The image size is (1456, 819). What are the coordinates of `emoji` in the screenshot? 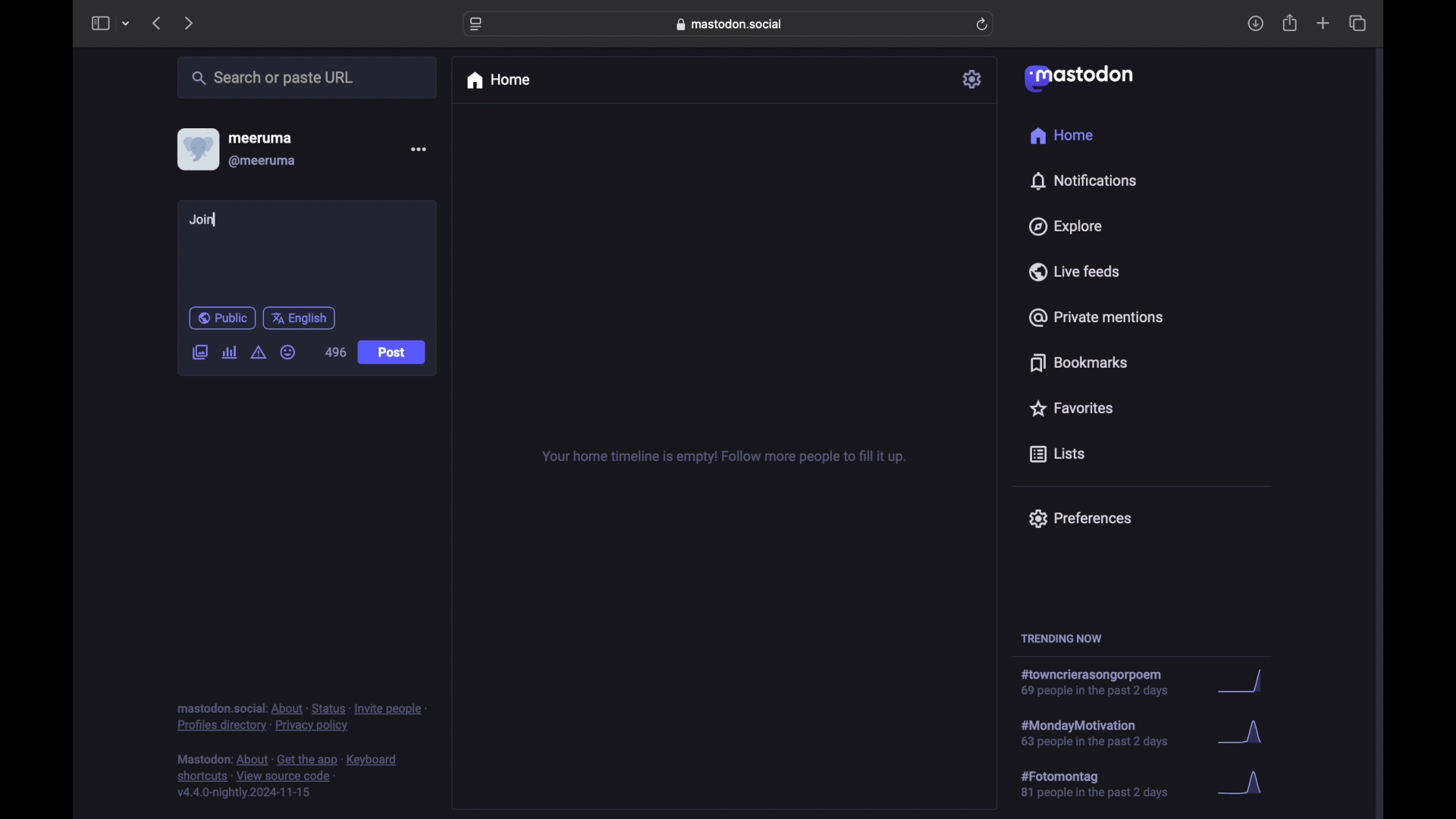 It's located at (288, 353).